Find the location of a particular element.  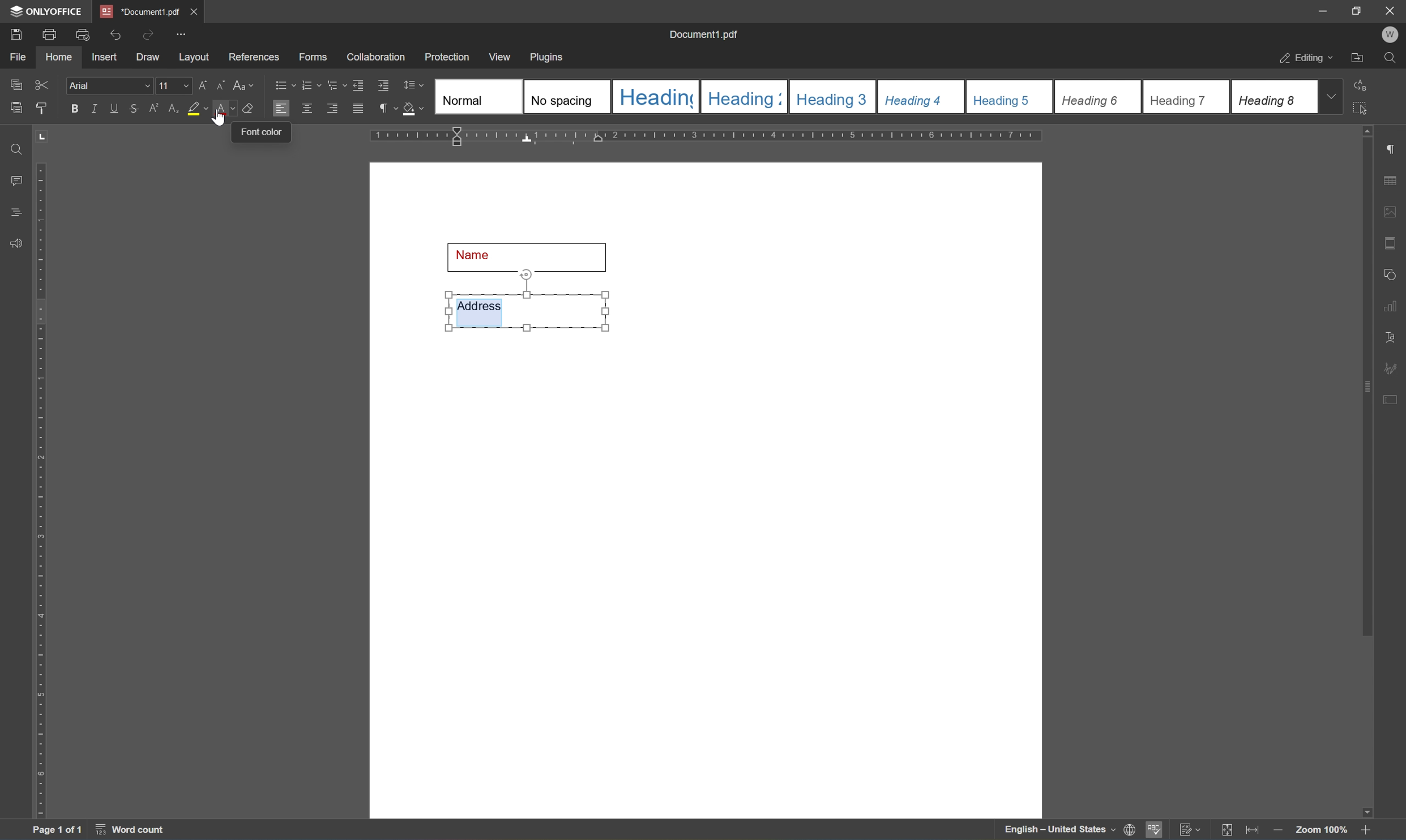

font size is located at coordinates (174, 85).